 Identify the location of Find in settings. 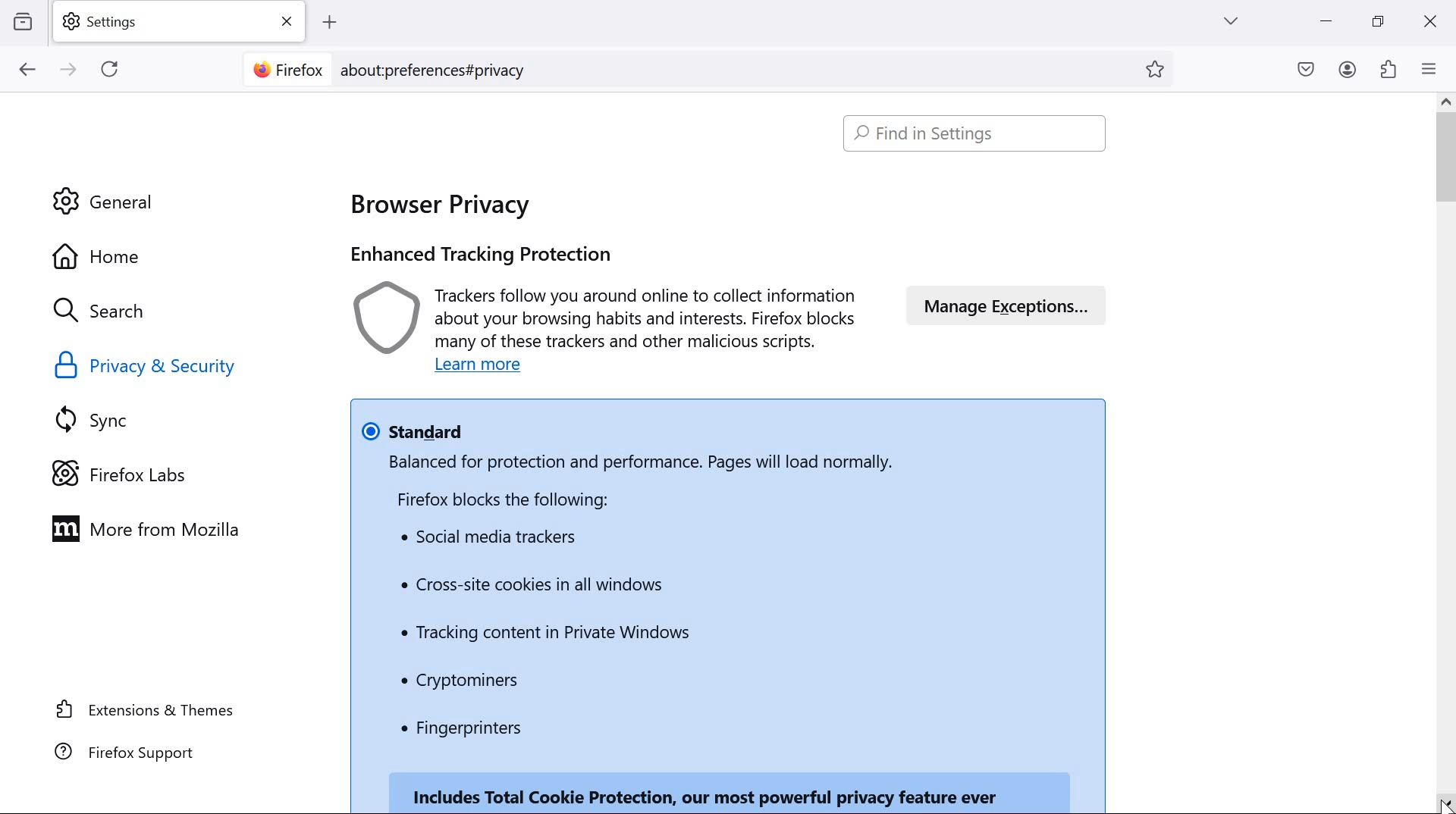
(978, 133).